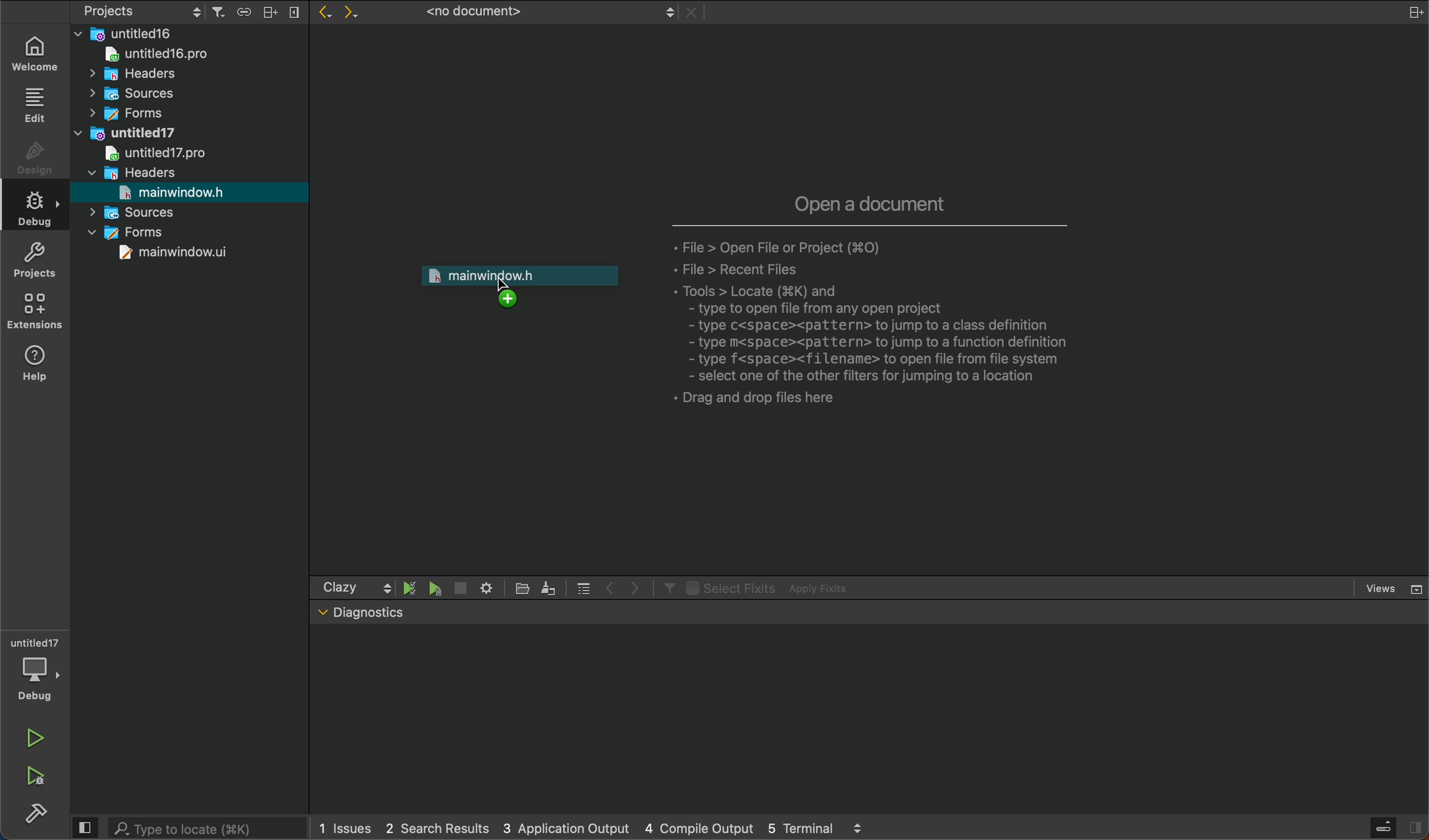 This screenshot has height=840, width=1429. I want to click on sidebar toggle, so click(1398, 828).